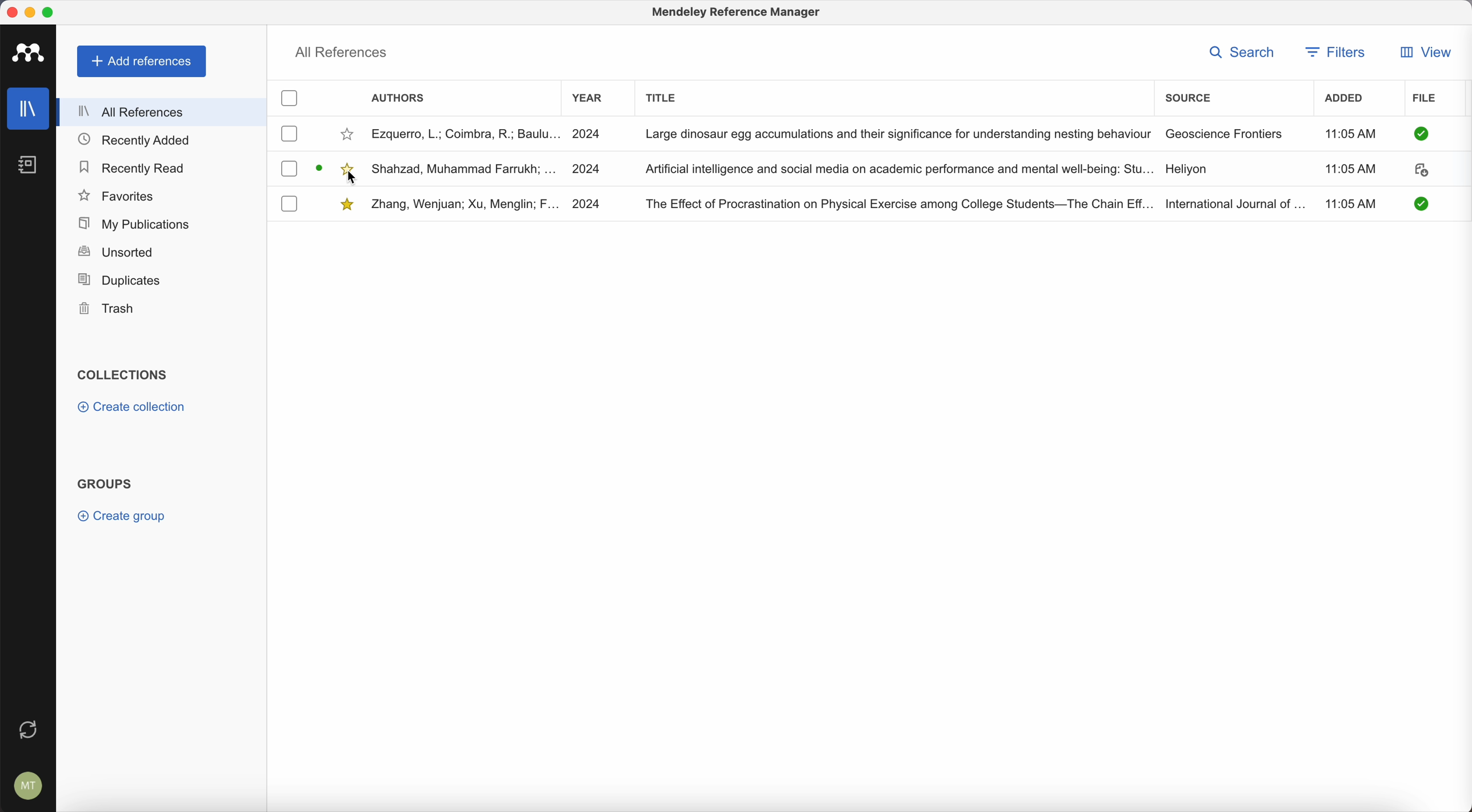 This screenshot has height=812, width=1472. What do you see at coordinates (1338, 52) in the screenshot?
I see `filters` at bounding box center [1338, 52].